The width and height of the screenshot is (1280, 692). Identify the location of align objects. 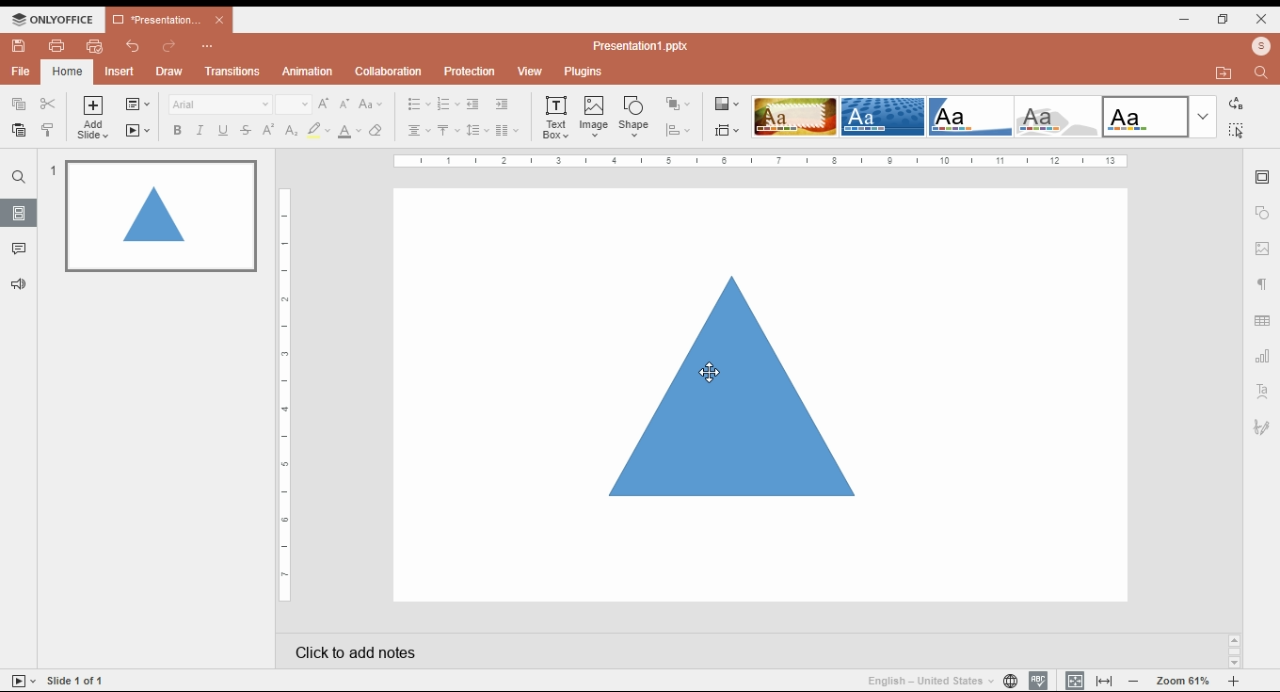
(679, 132).